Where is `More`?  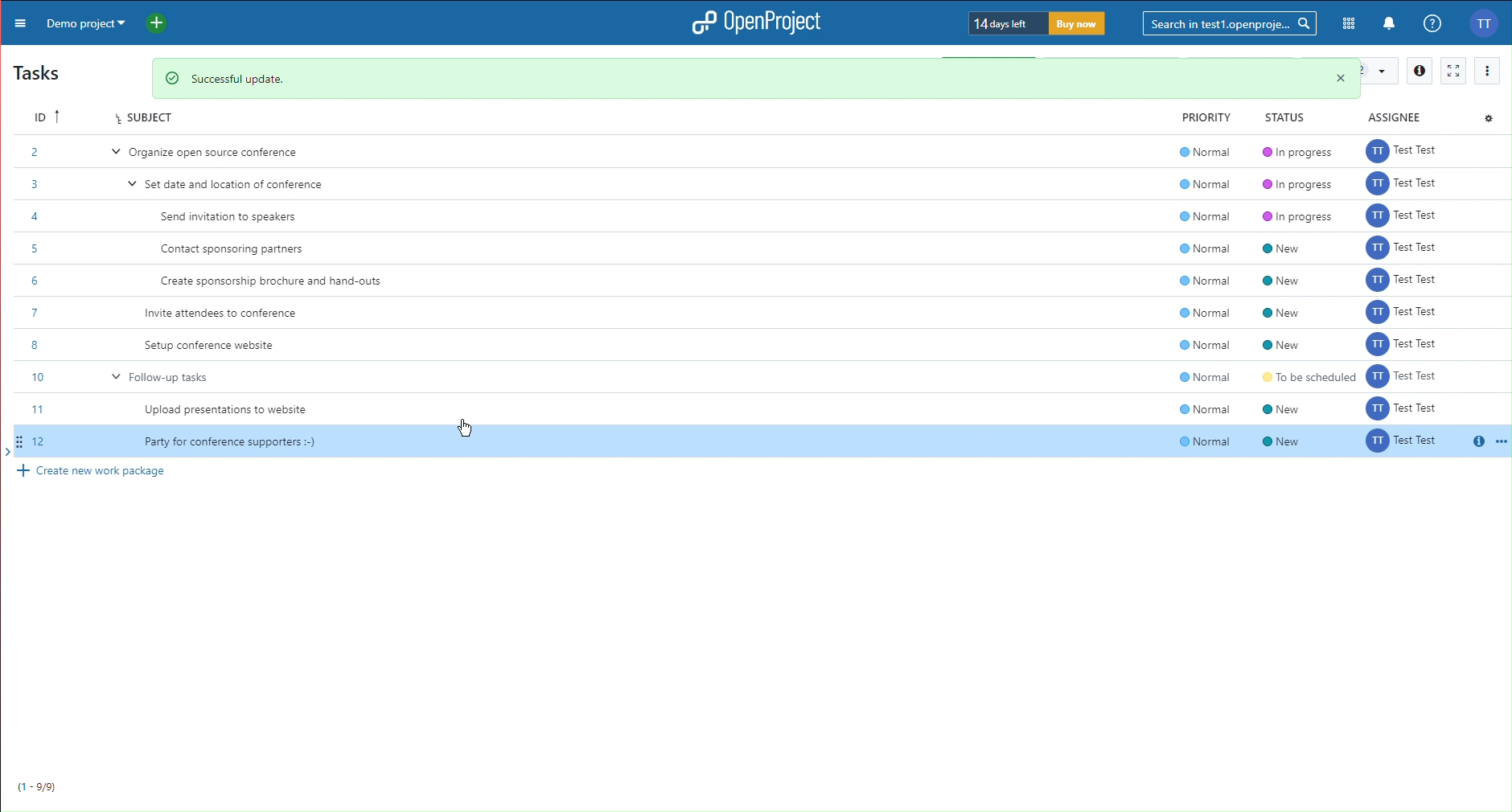
More is located at coordinates (17, 22).